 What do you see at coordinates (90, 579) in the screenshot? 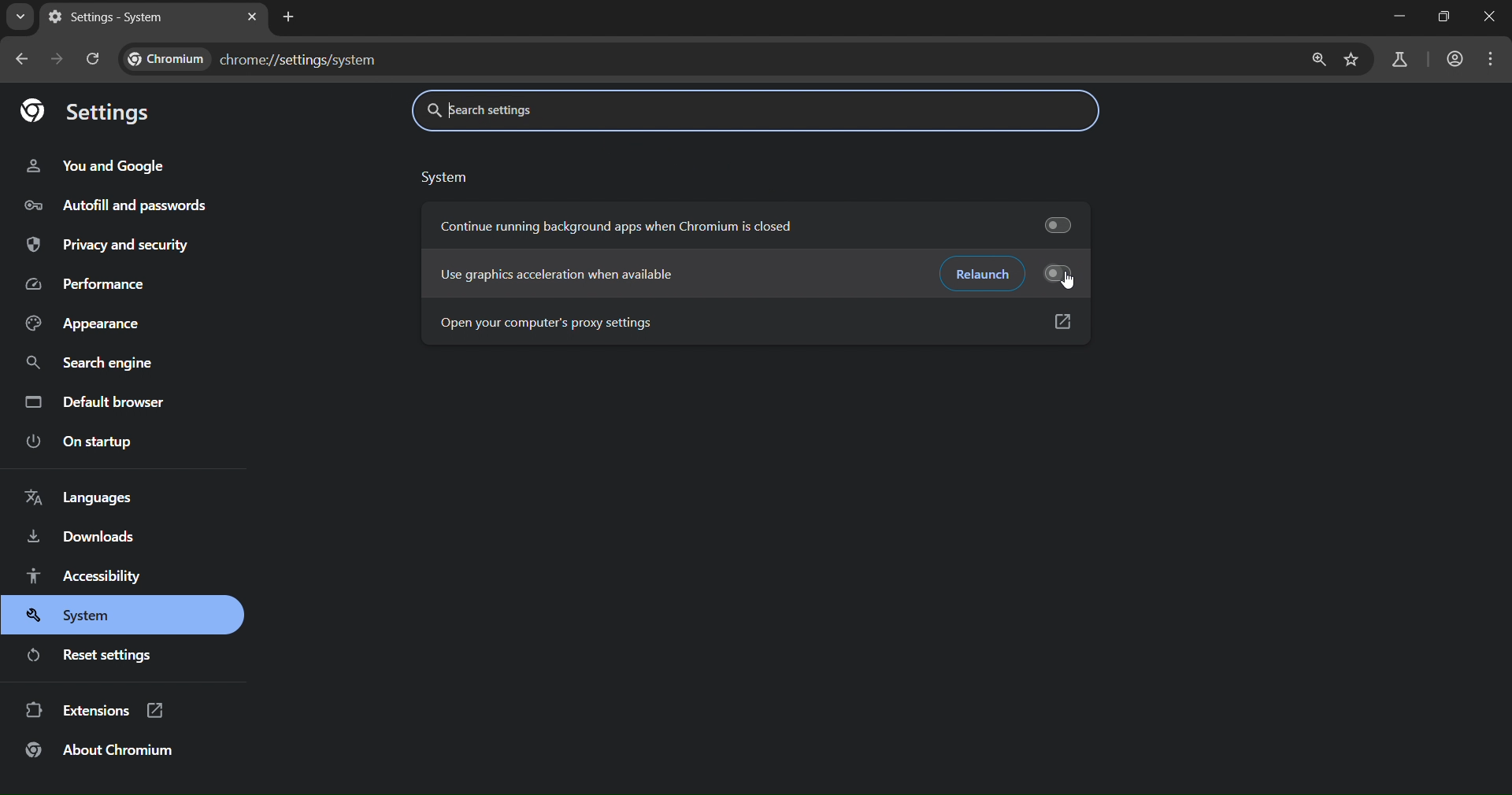
I see `accessibility` at bounding box center [90, 579].